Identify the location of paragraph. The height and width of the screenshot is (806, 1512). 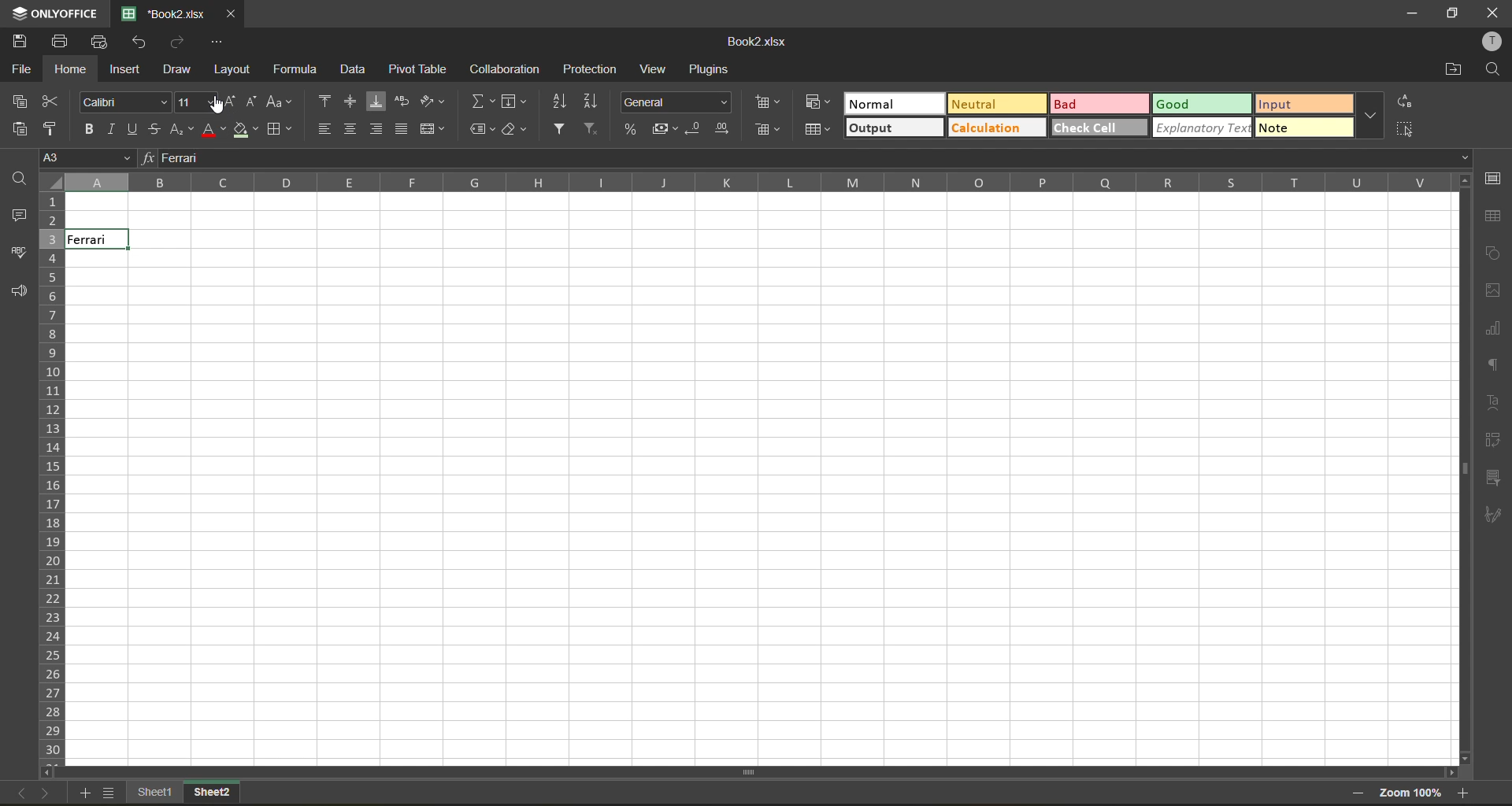
(1493, 364).